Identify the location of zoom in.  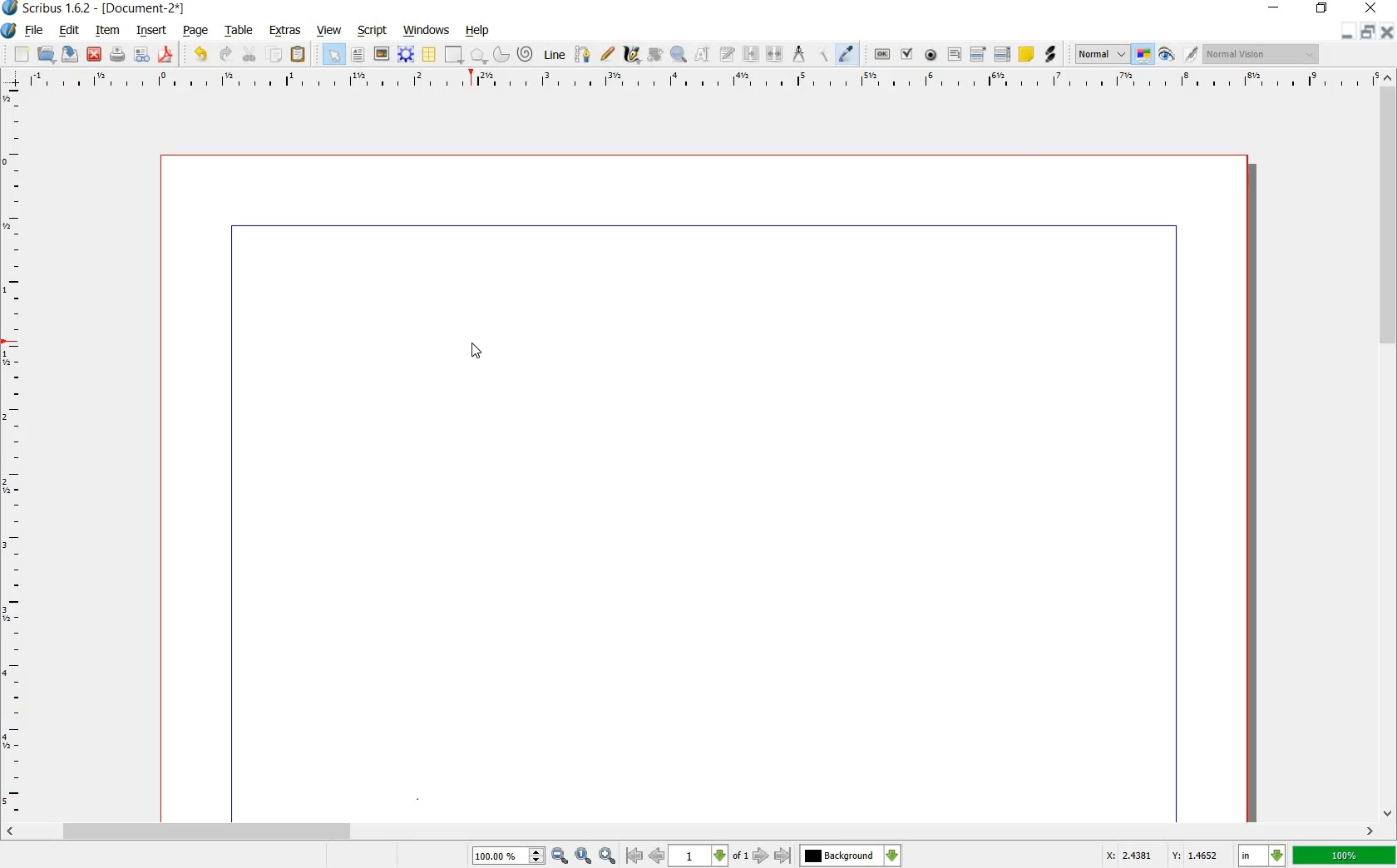
(608, 856).